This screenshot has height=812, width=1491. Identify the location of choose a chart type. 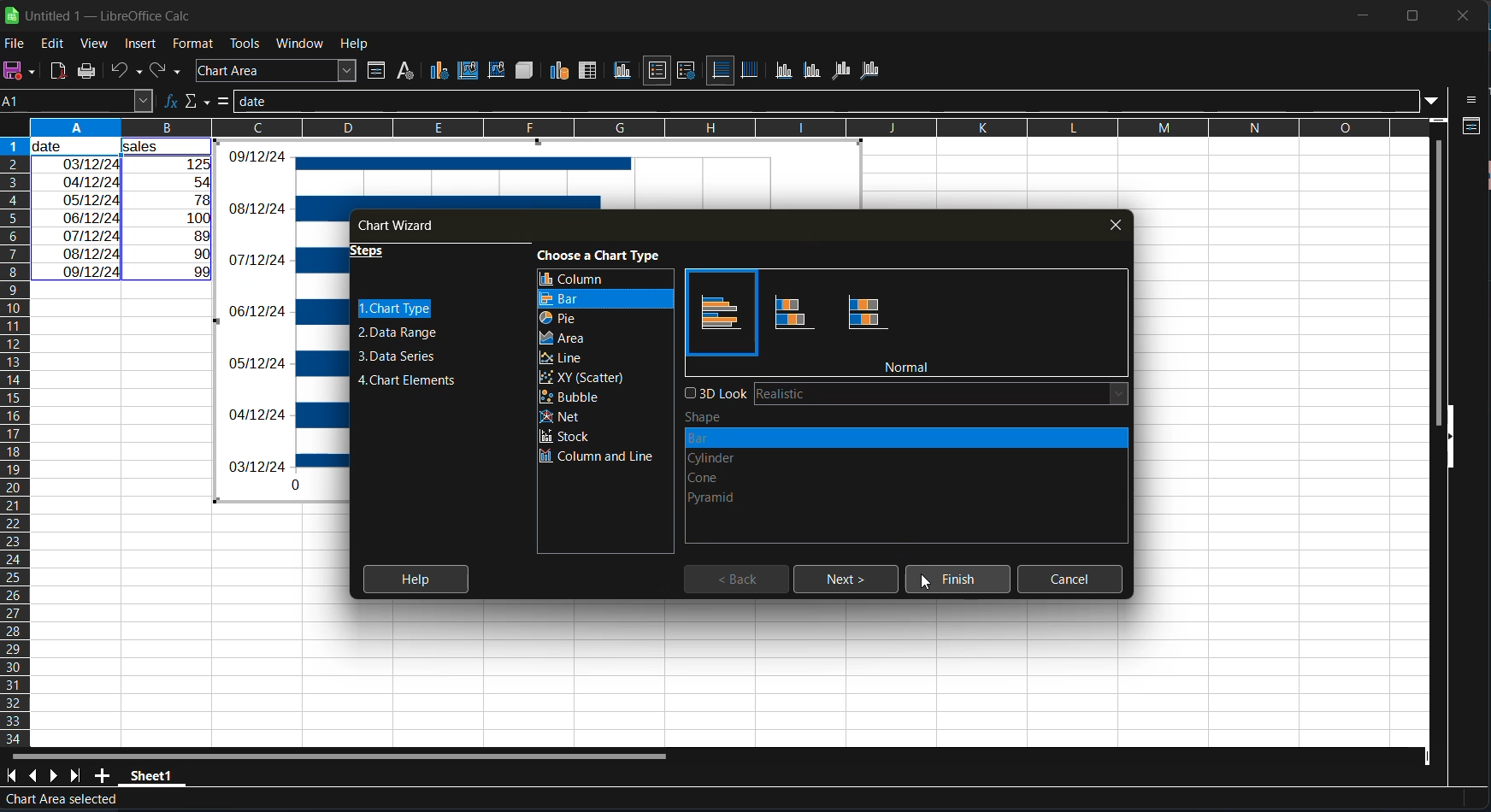
(604, 254).